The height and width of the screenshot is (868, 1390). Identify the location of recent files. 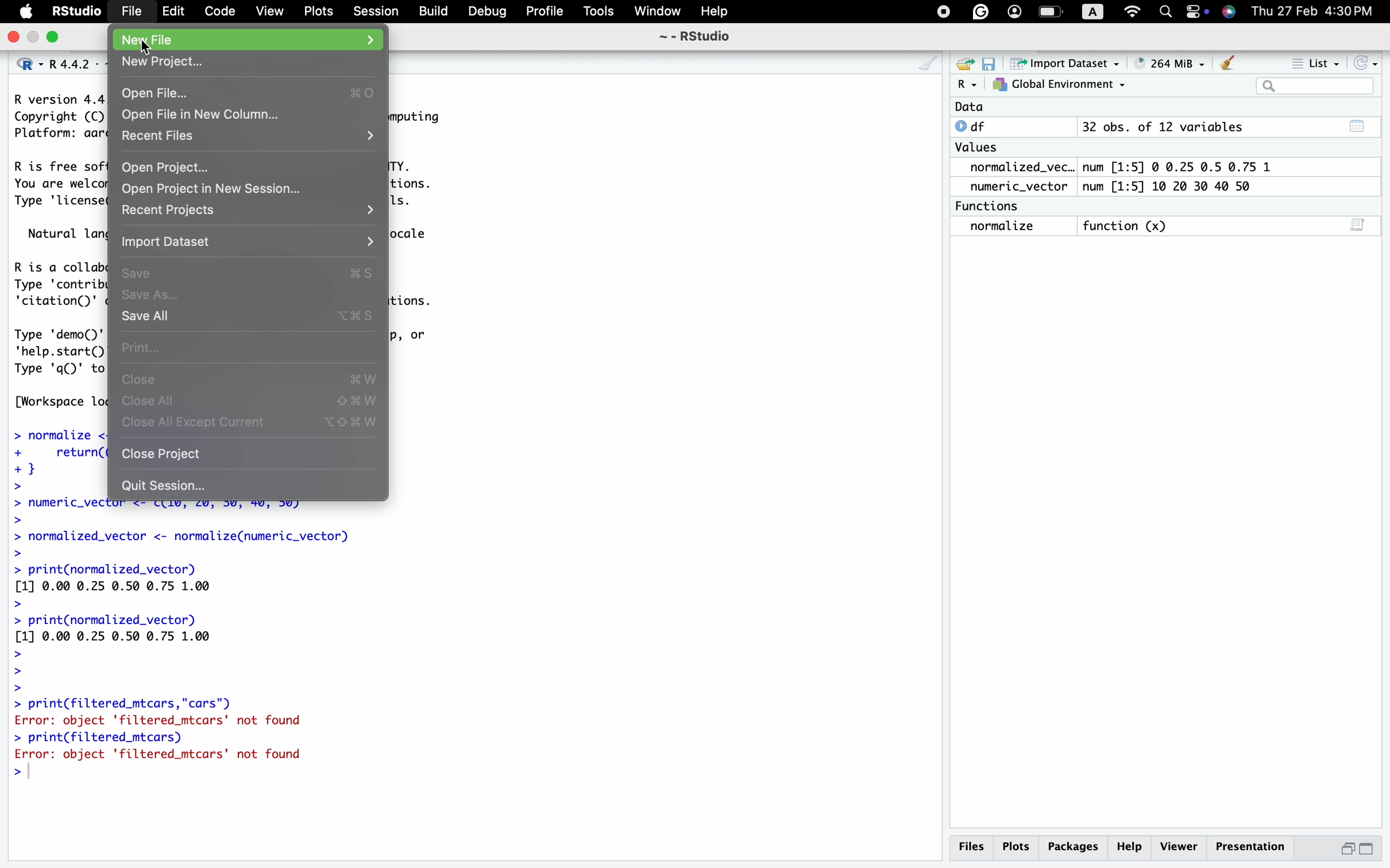
(250, 138).